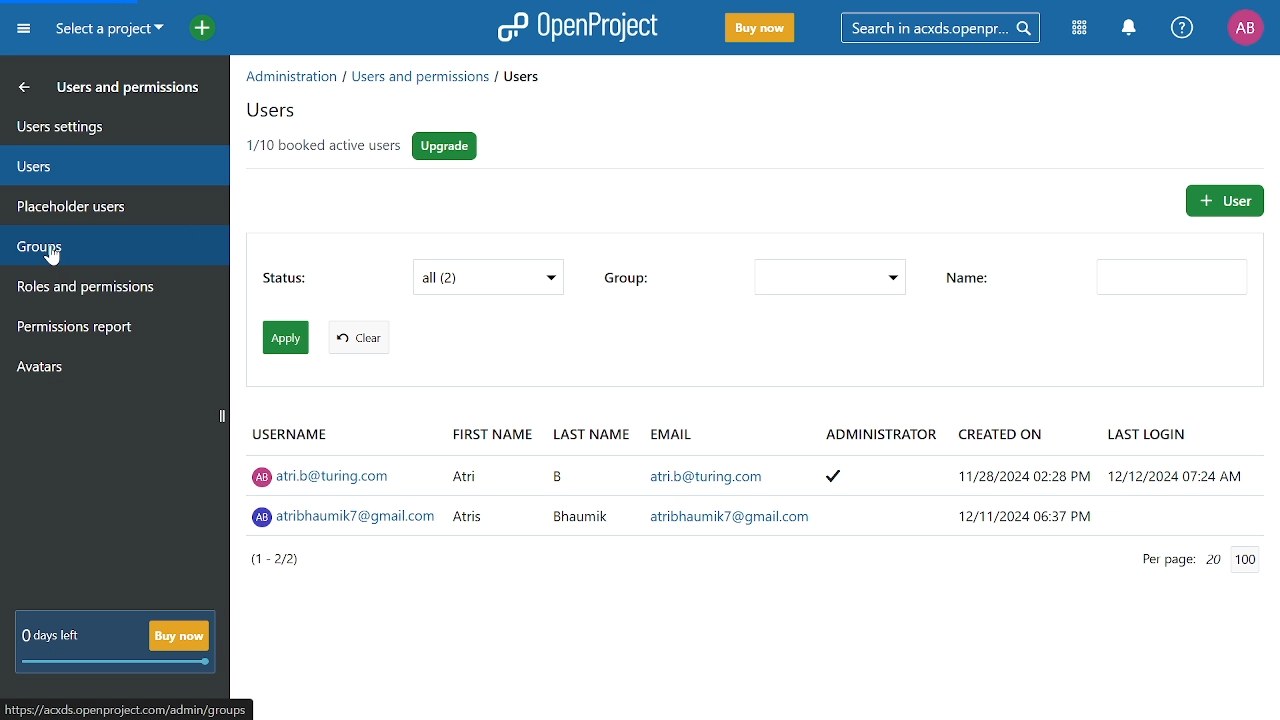  What do you see at coordinates (107, 247) in the screenshot?
I see `groups` at bounding box center [107, 247].